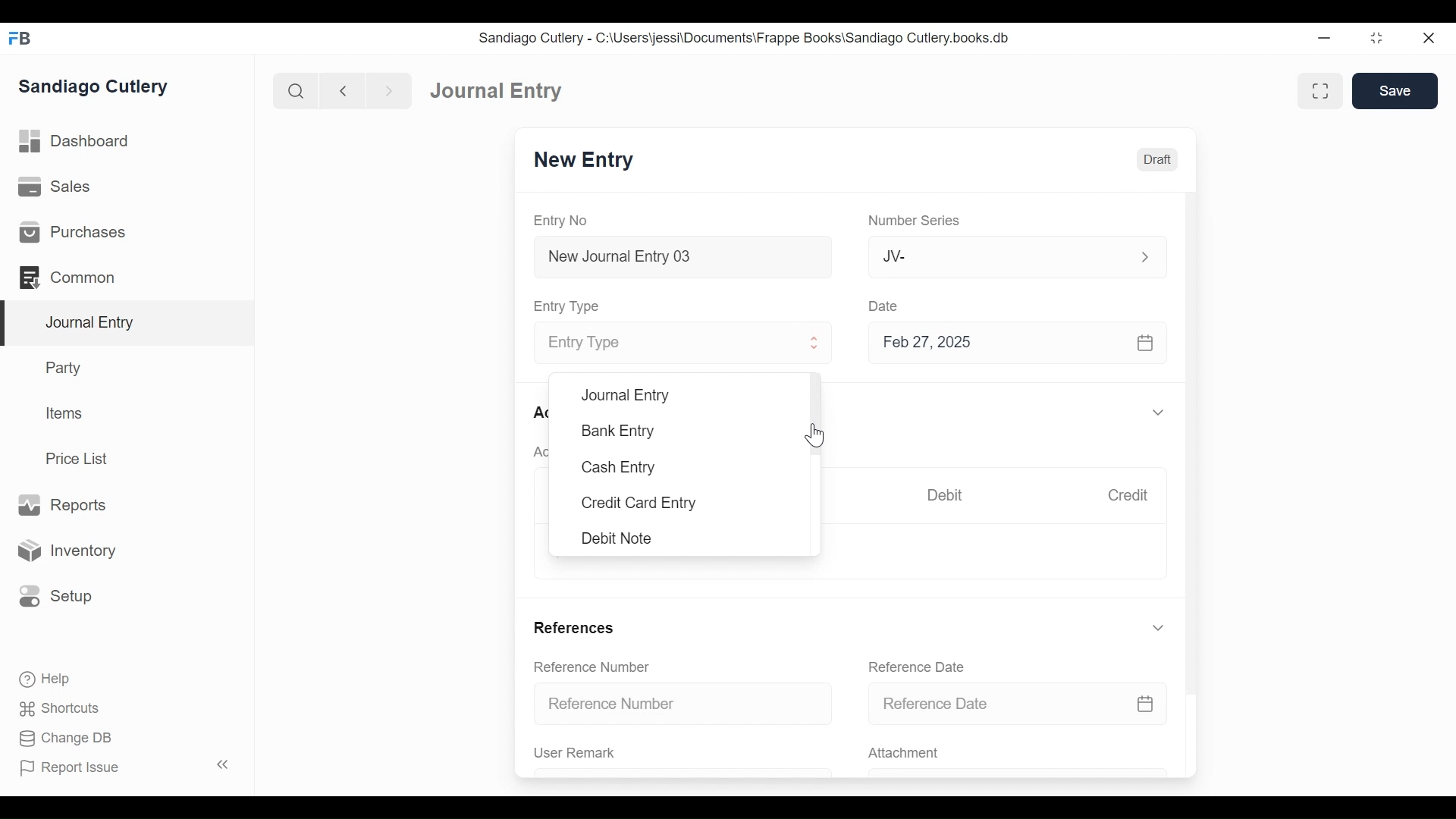  Describe the element at coordinates (629, 395) in the screenshot. I see `Journal Entry` at that location.